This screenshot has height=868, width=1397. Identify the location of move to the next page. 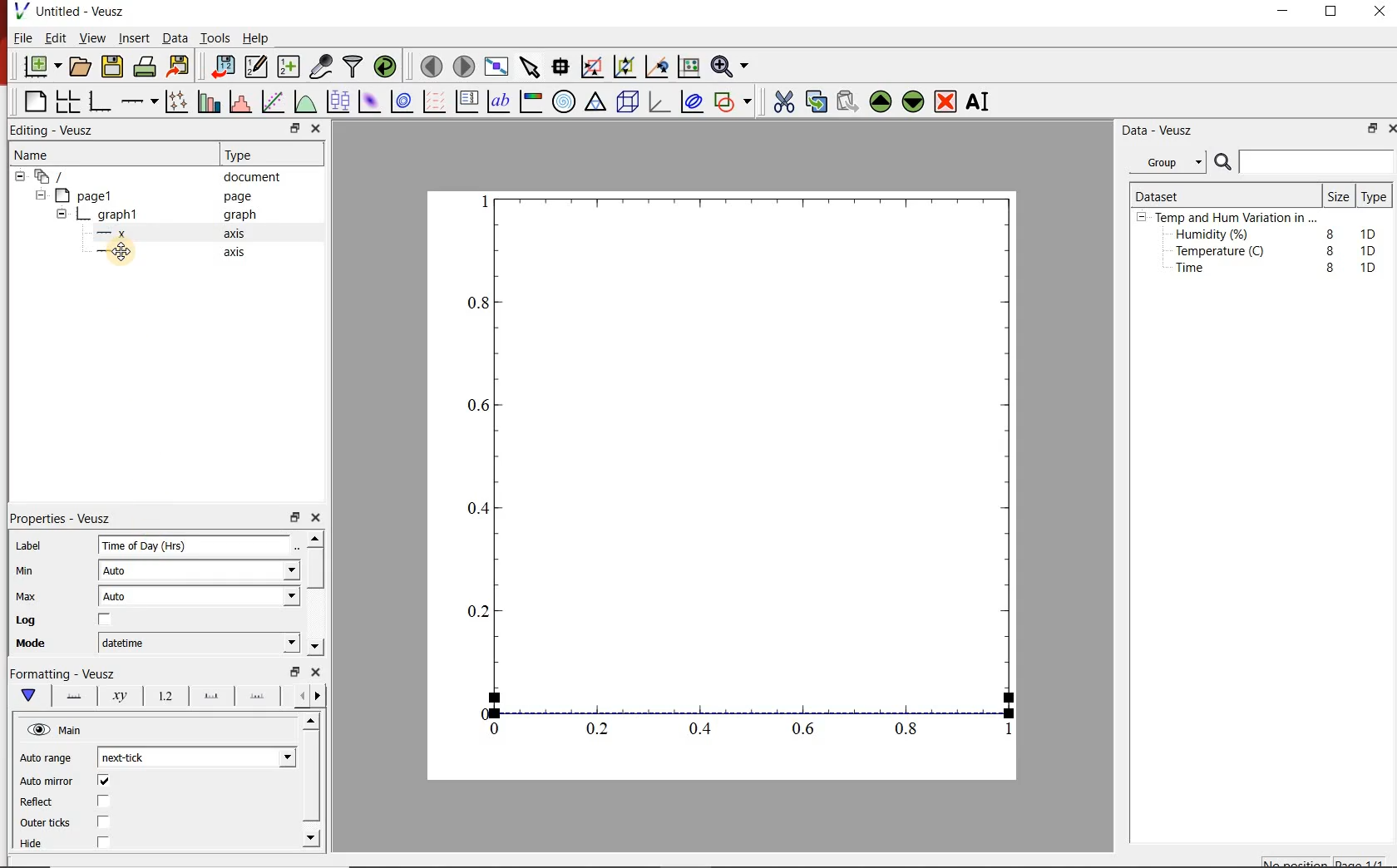
(463, 66).